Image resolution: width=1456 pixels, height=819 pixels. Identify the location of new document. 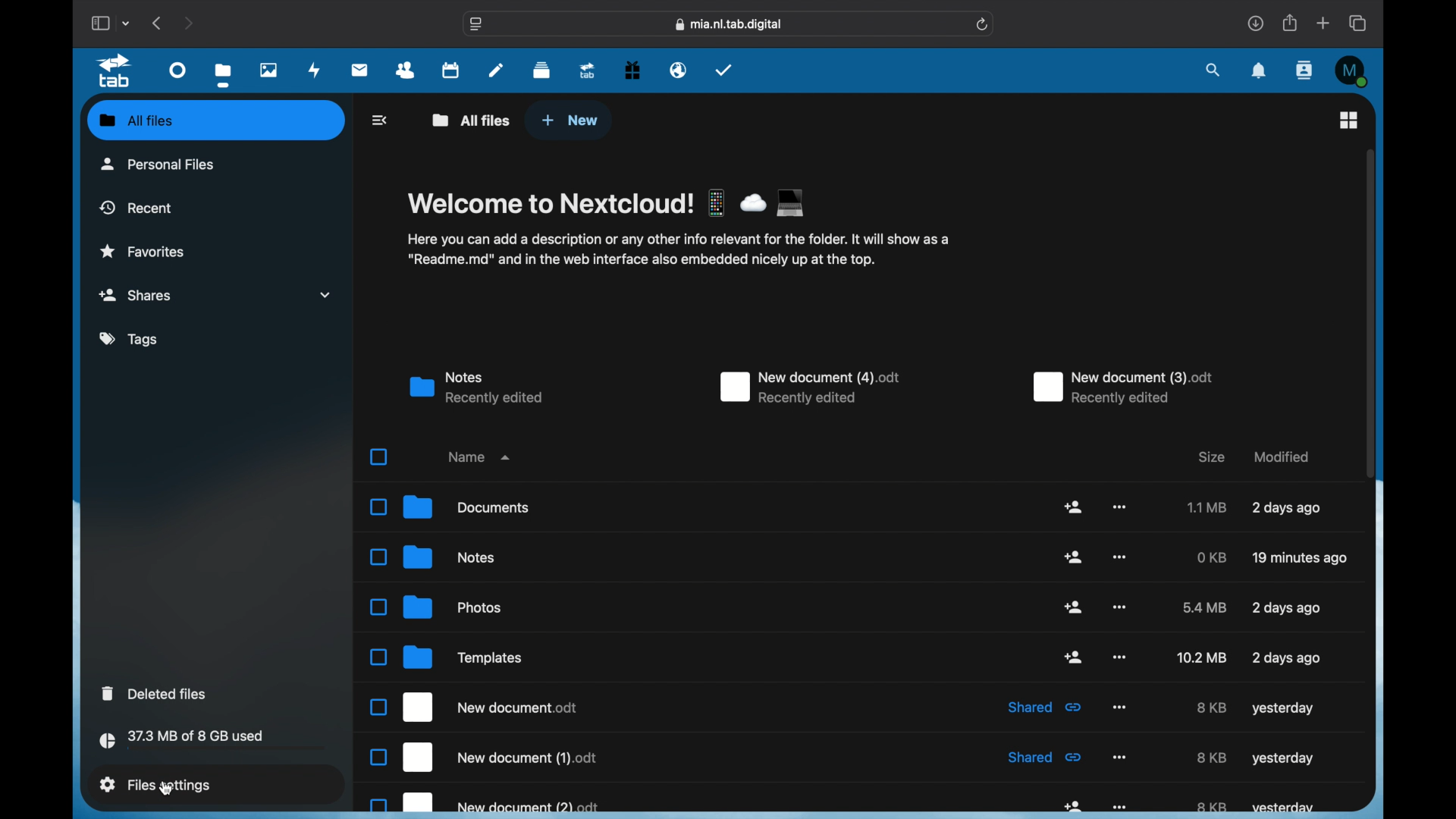
(485, 803).